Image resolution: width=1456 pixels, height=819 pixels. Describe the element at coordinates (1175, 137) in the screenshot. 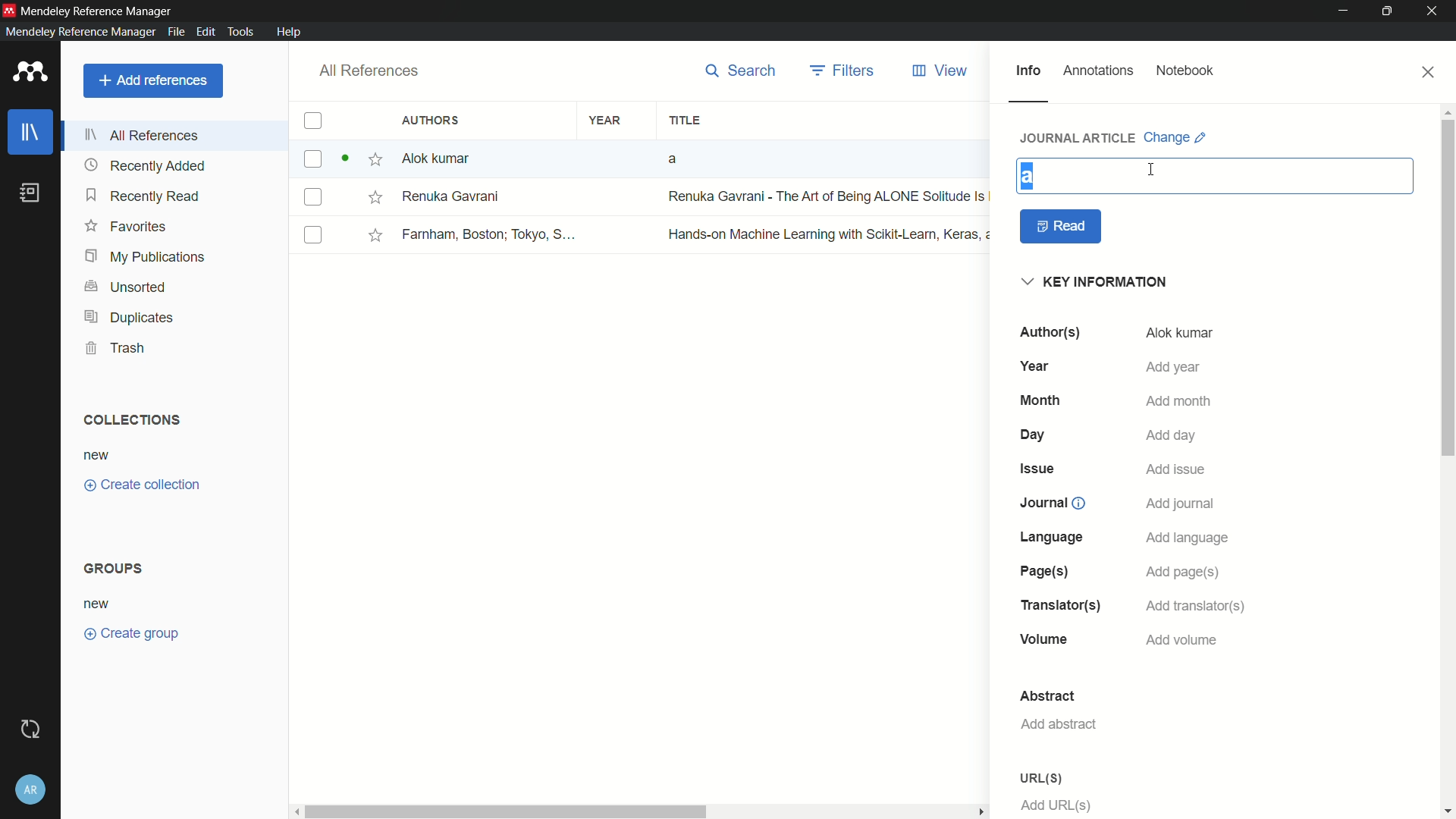

I see `change` at that location.